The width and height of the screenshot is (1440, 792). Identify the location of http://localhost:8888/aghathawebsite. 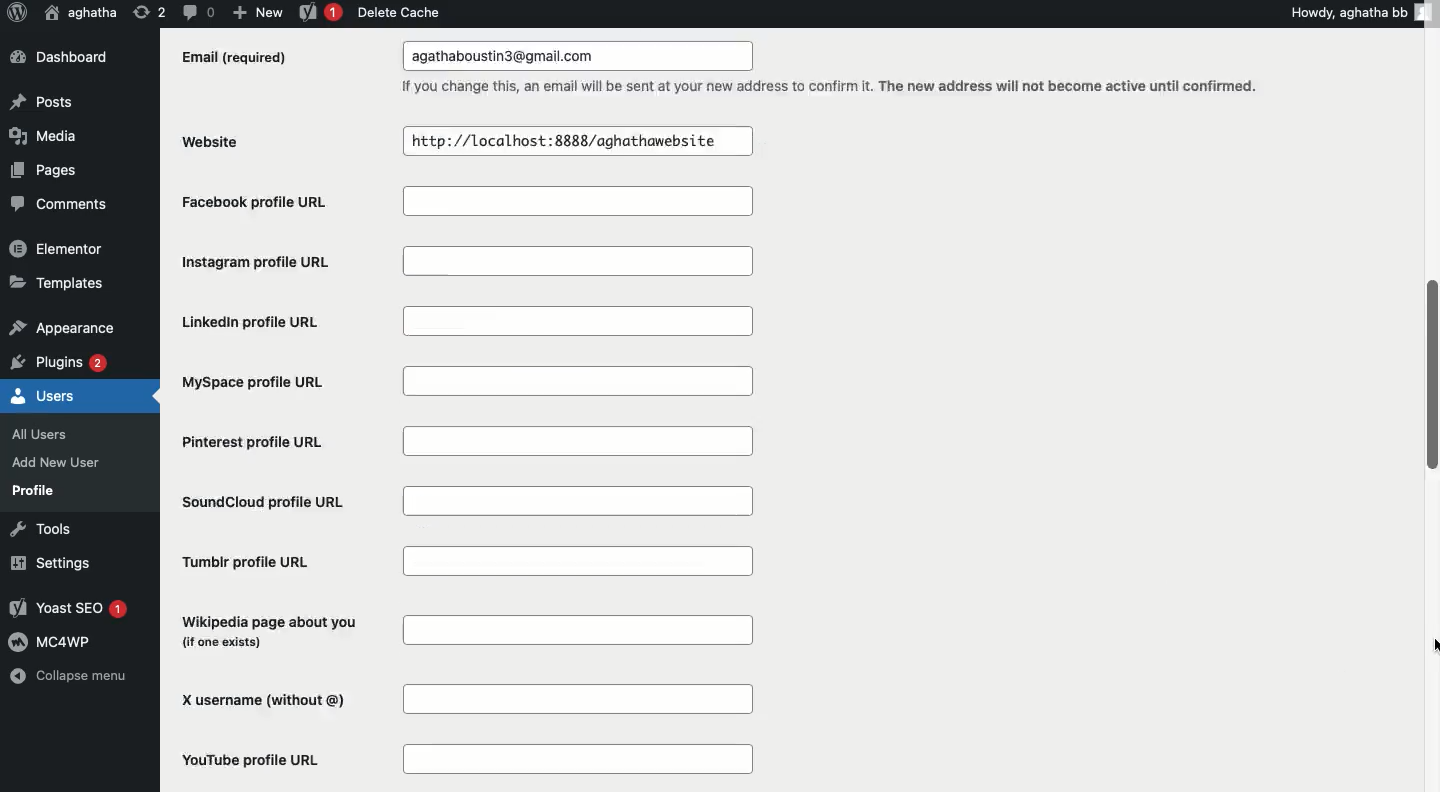
(577, 140).